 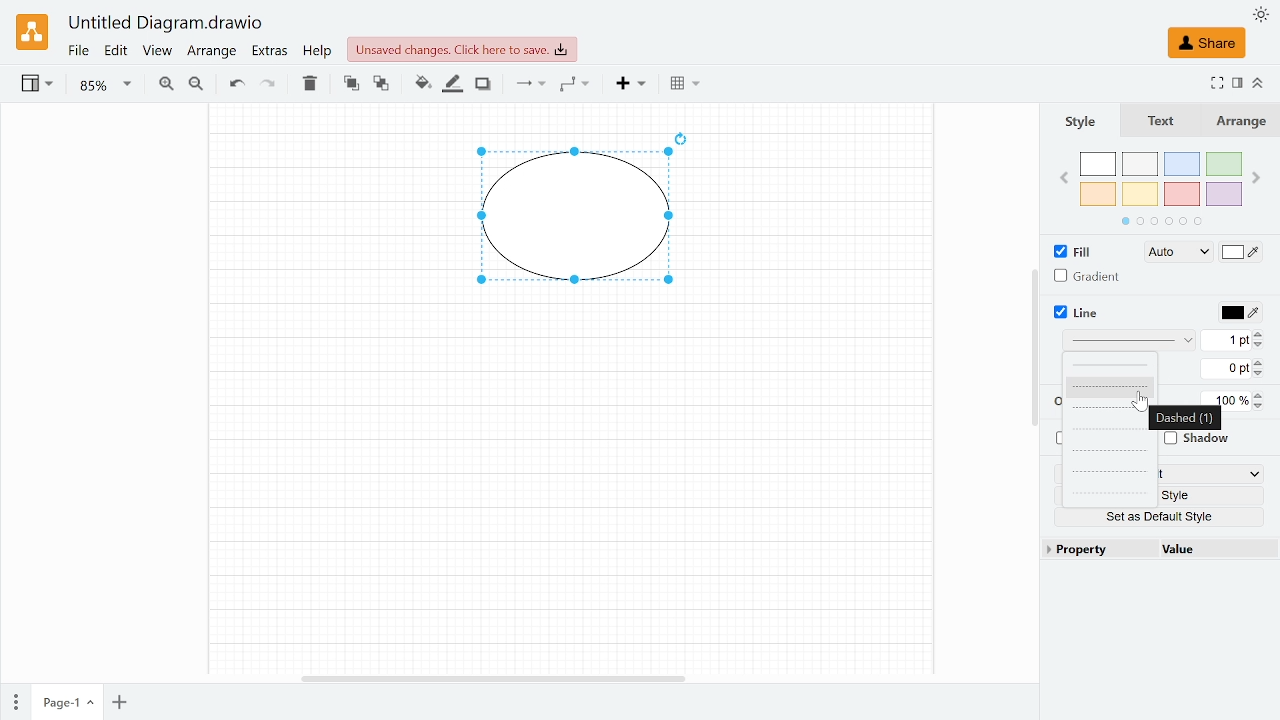 What do you see at coordinates (1210, 472) in the screenshot?
I see `1` at bounding box center [1210, 472].